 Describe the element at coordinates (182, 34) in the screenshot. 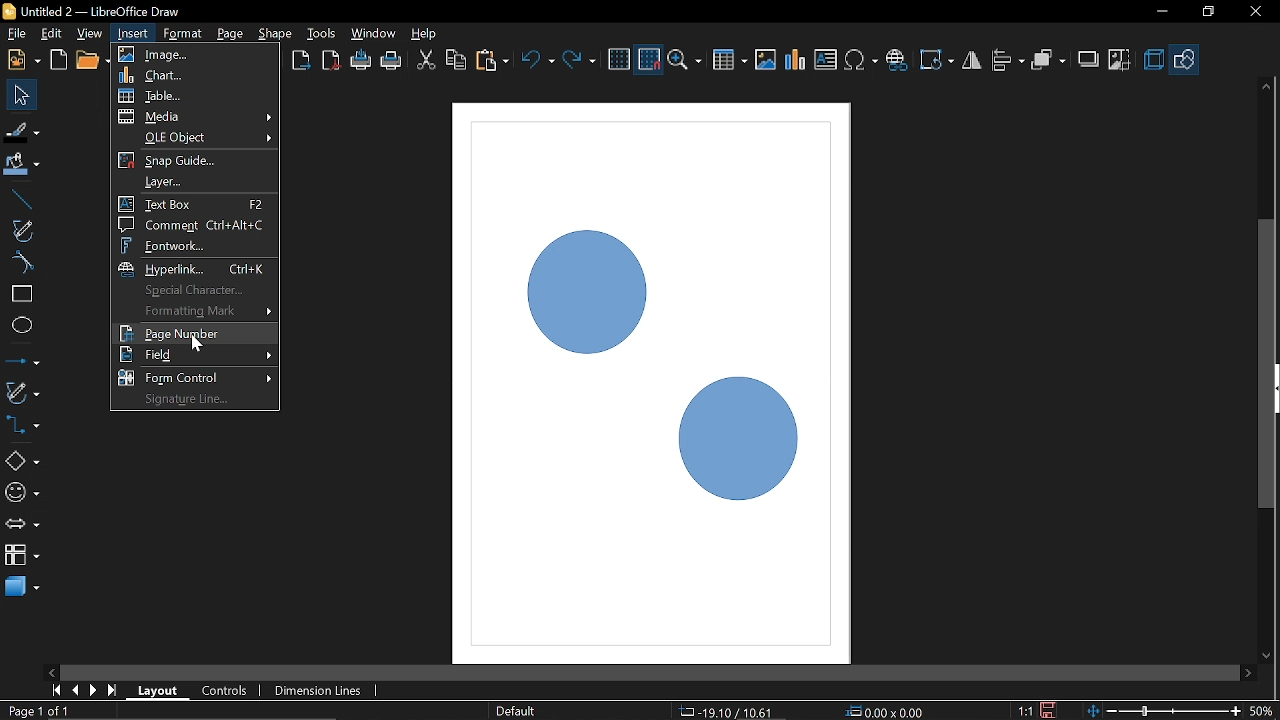

I see `Format` at that location.